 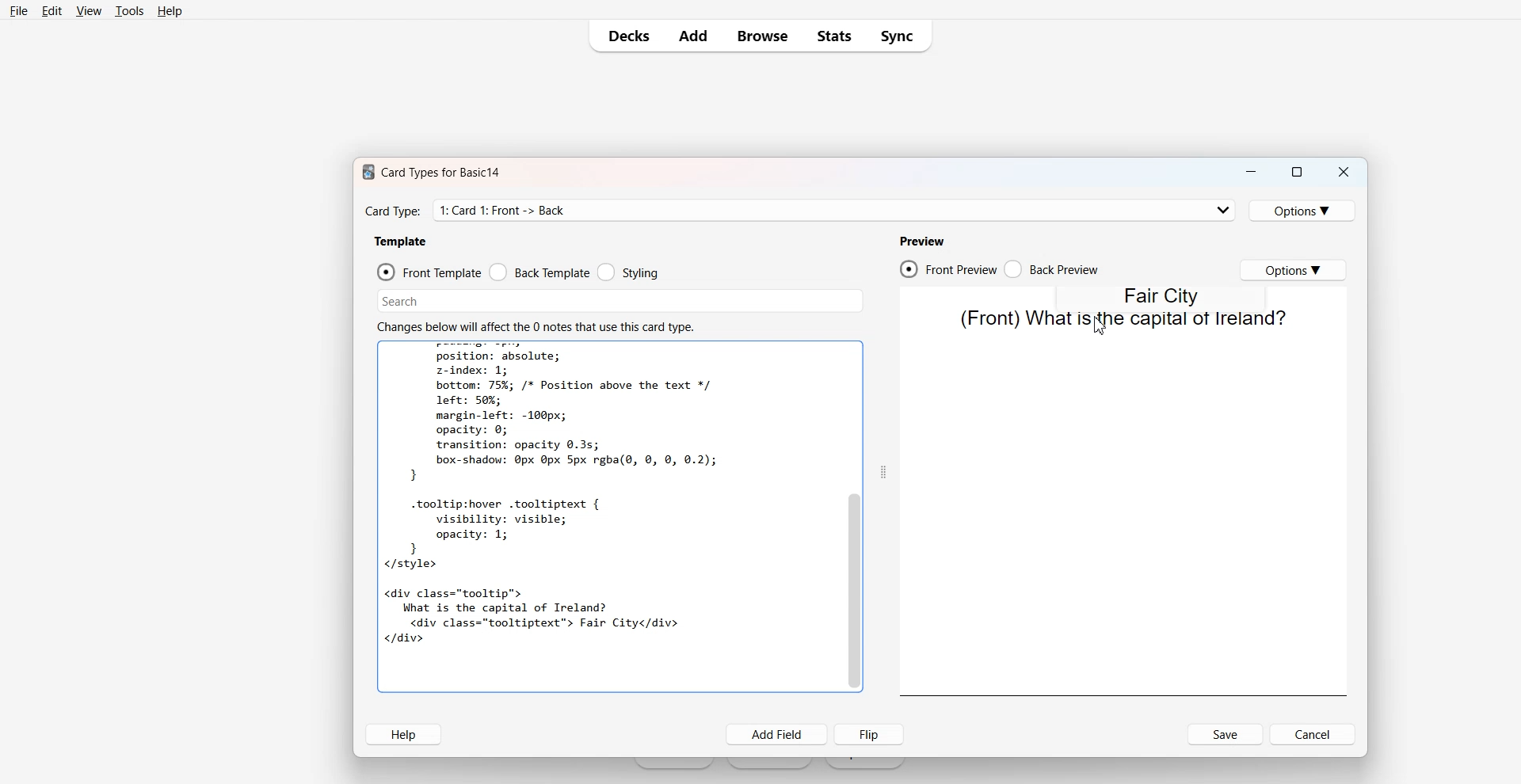 I want to click on View, so click(x=88, y=11).